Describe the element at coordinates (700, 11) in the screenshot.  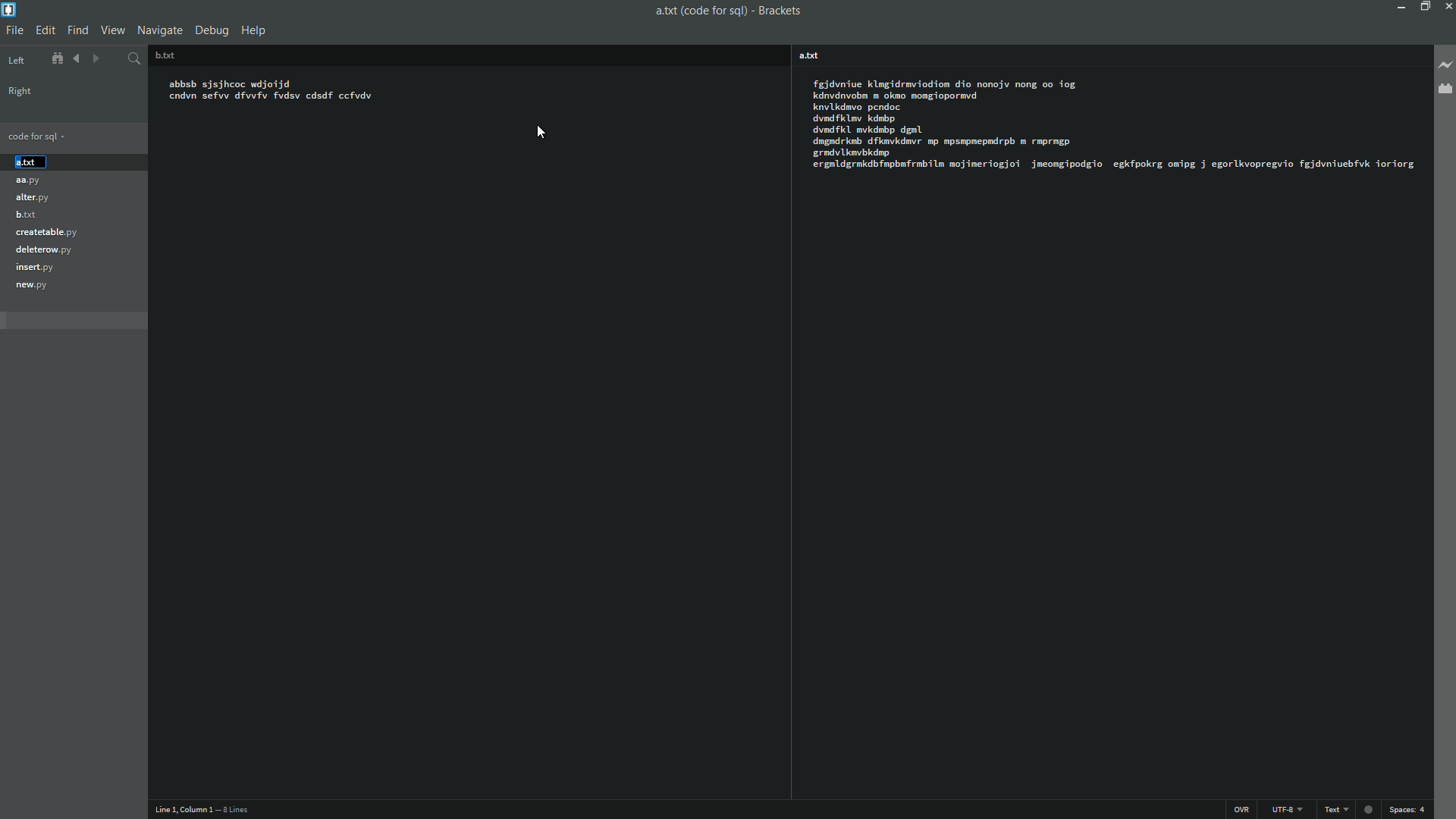
I see `File name` at that location.